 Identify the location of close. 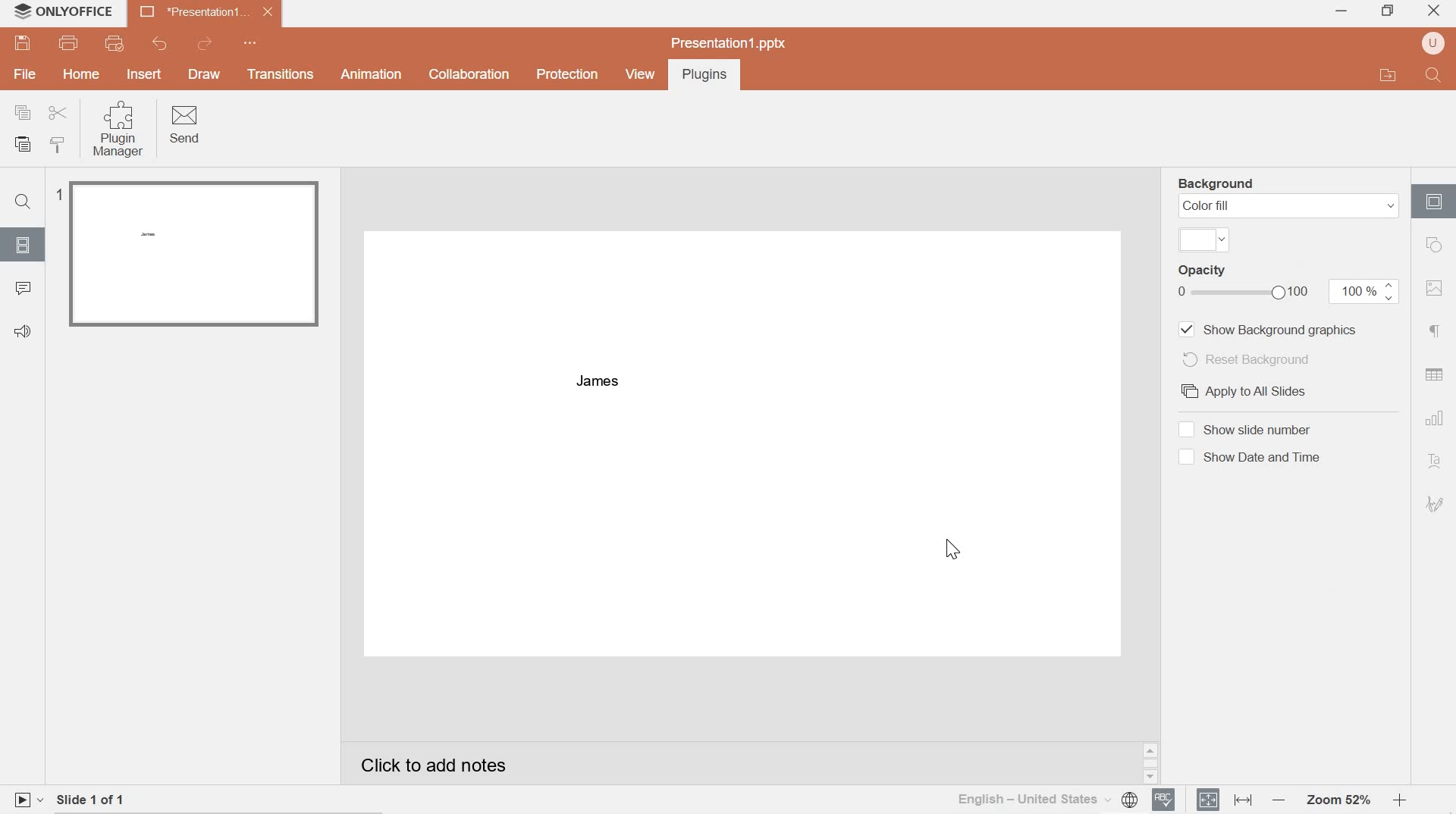
(1436, 8).